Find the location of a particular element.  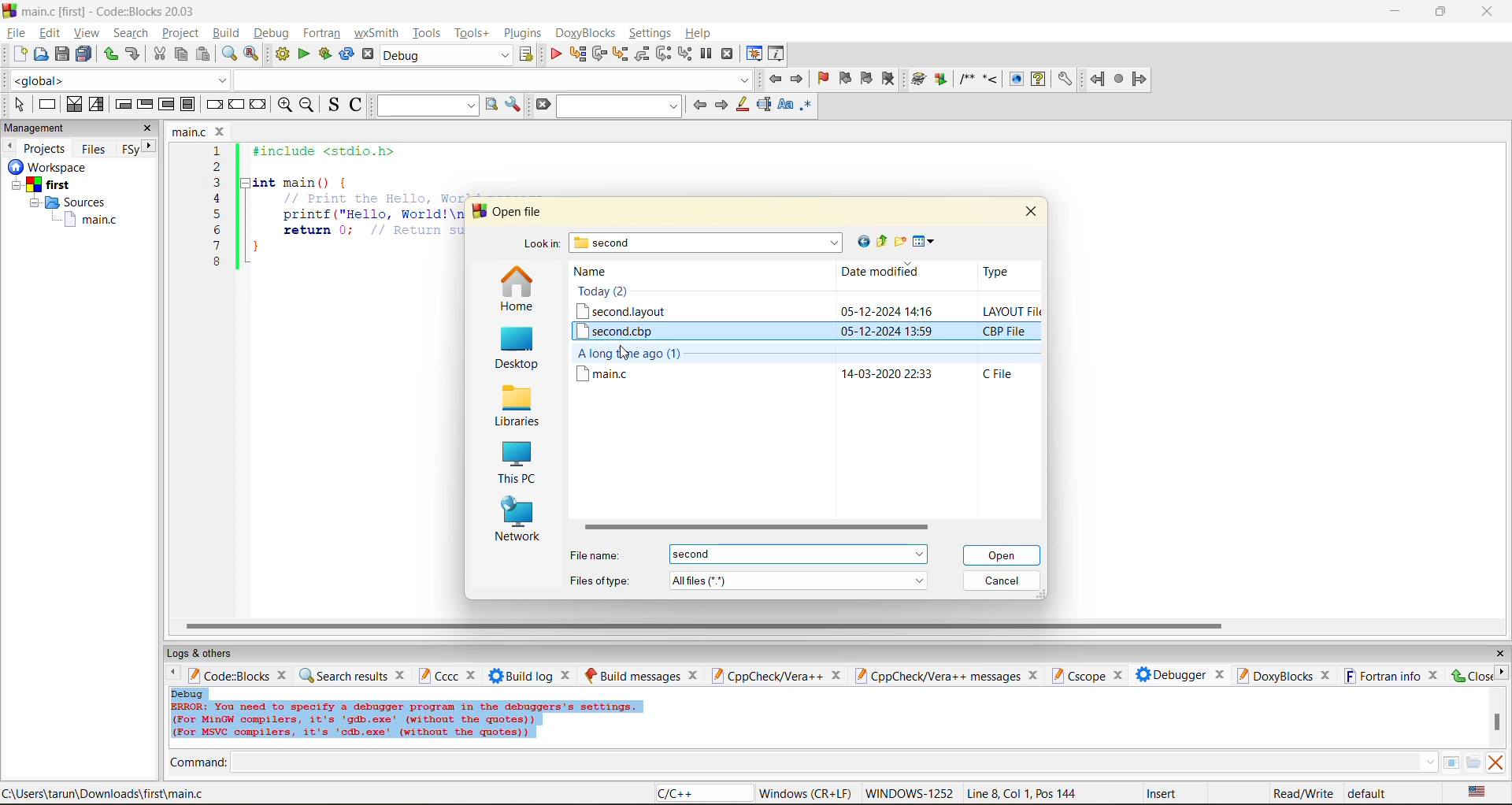

run to cursor is located at coordinates (576, 54).